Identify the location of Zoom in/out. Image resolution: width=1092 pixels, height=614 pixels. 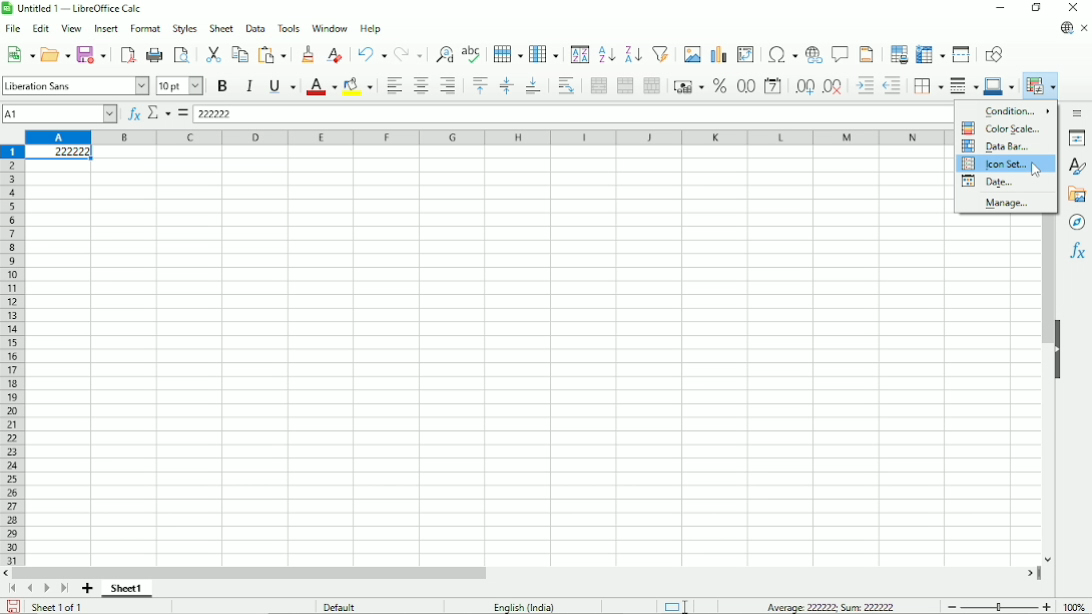
(998, 606).